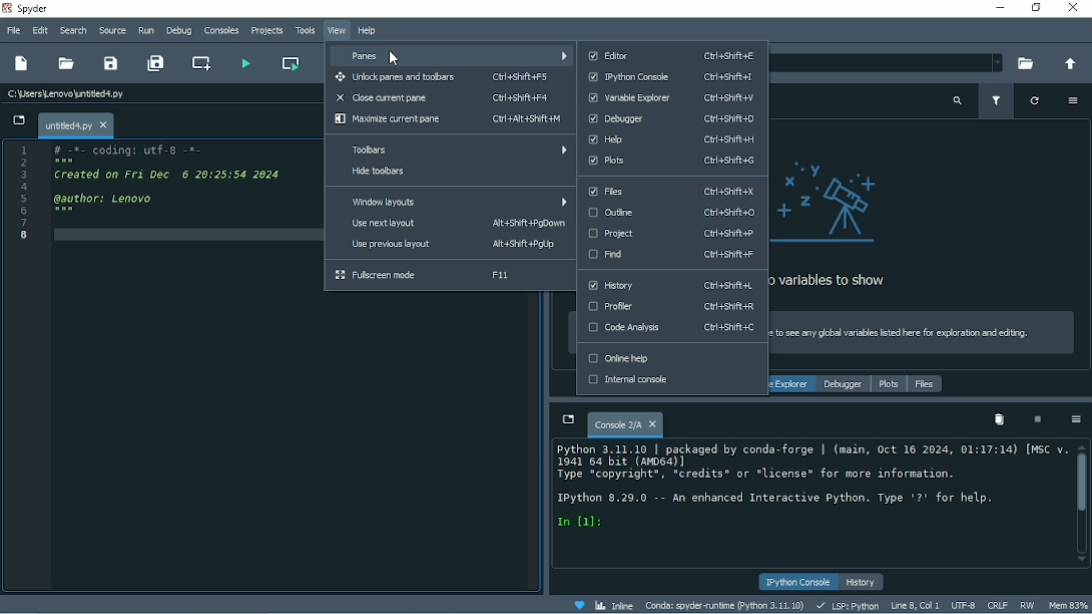  I want to click on UTF, so click(963, 604).